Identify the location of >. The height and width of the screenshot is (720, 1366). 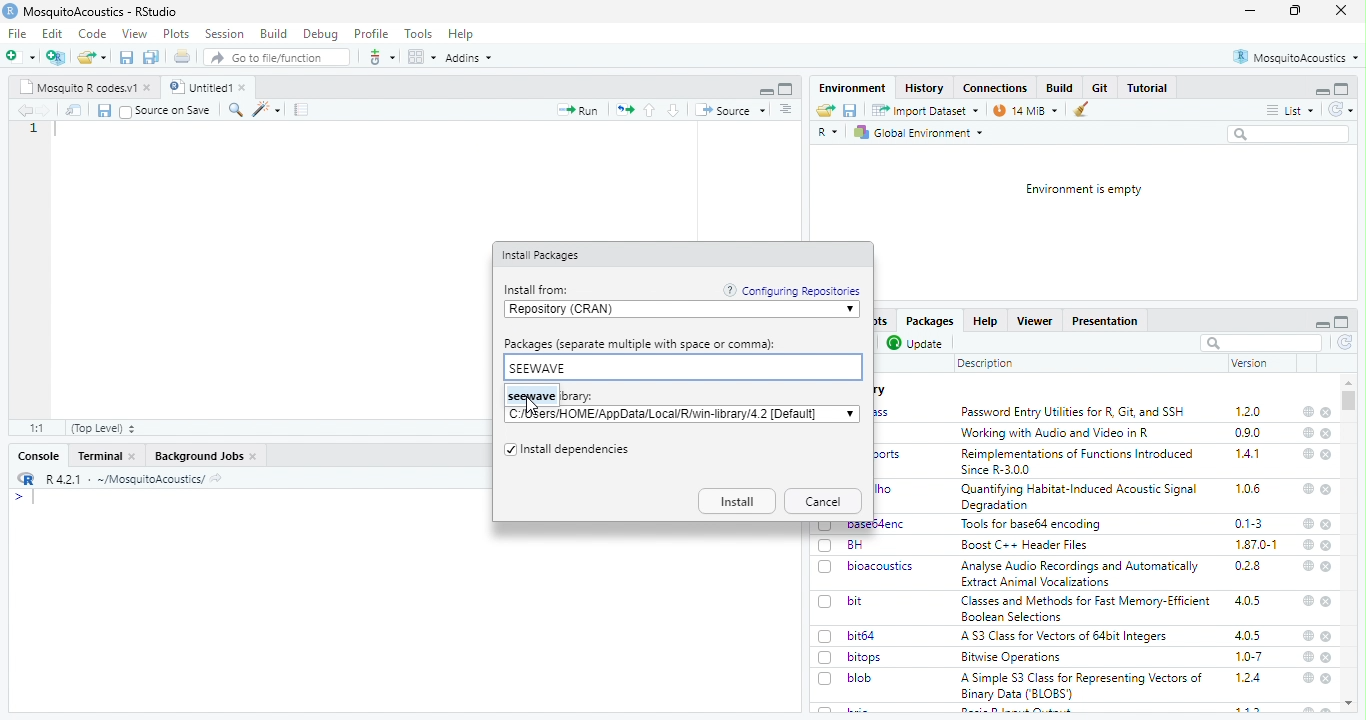
(18, 497).